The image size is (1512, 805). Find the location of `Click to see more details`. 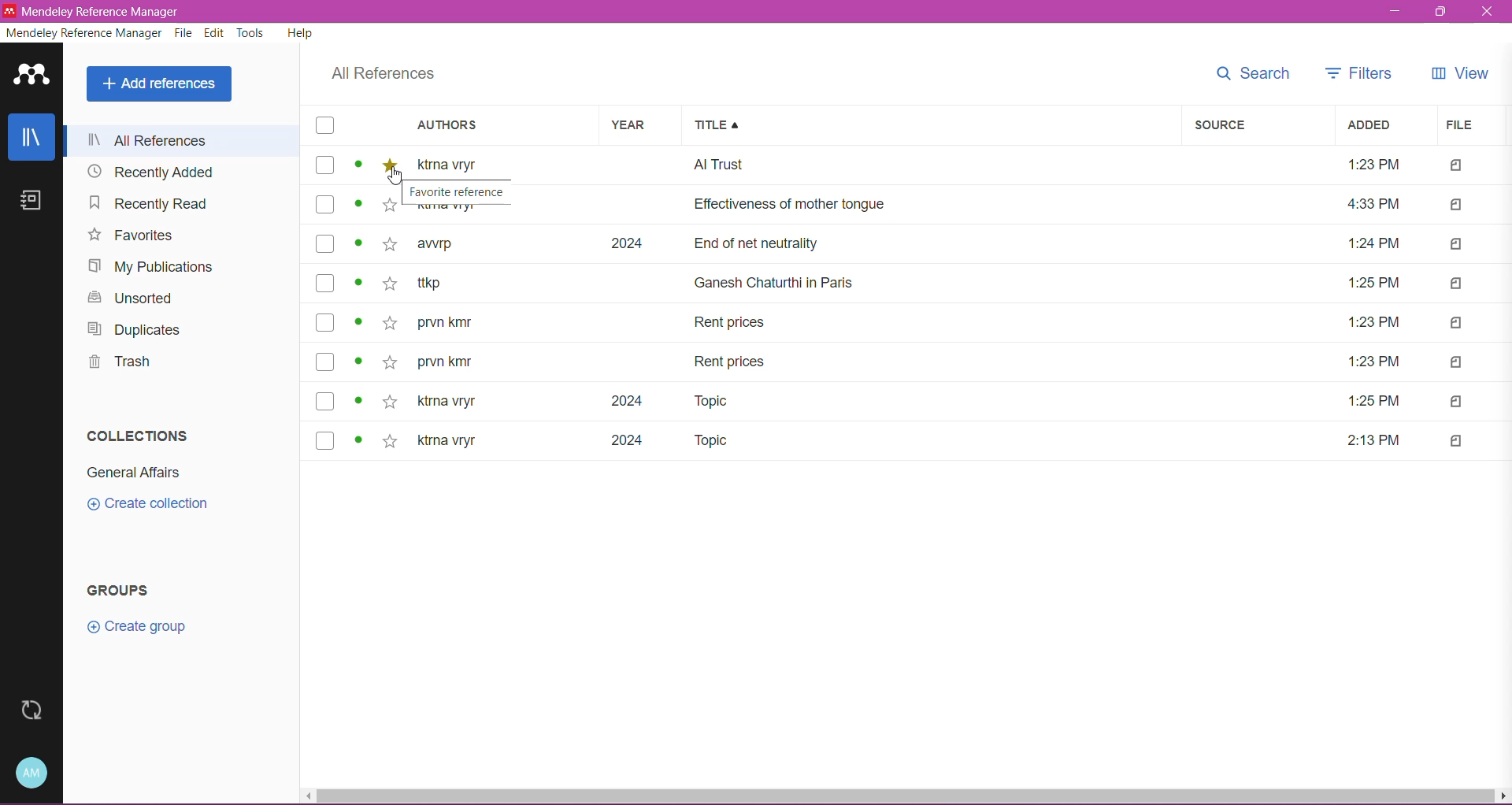

Click to see more details is located at coordinates (358, 440).